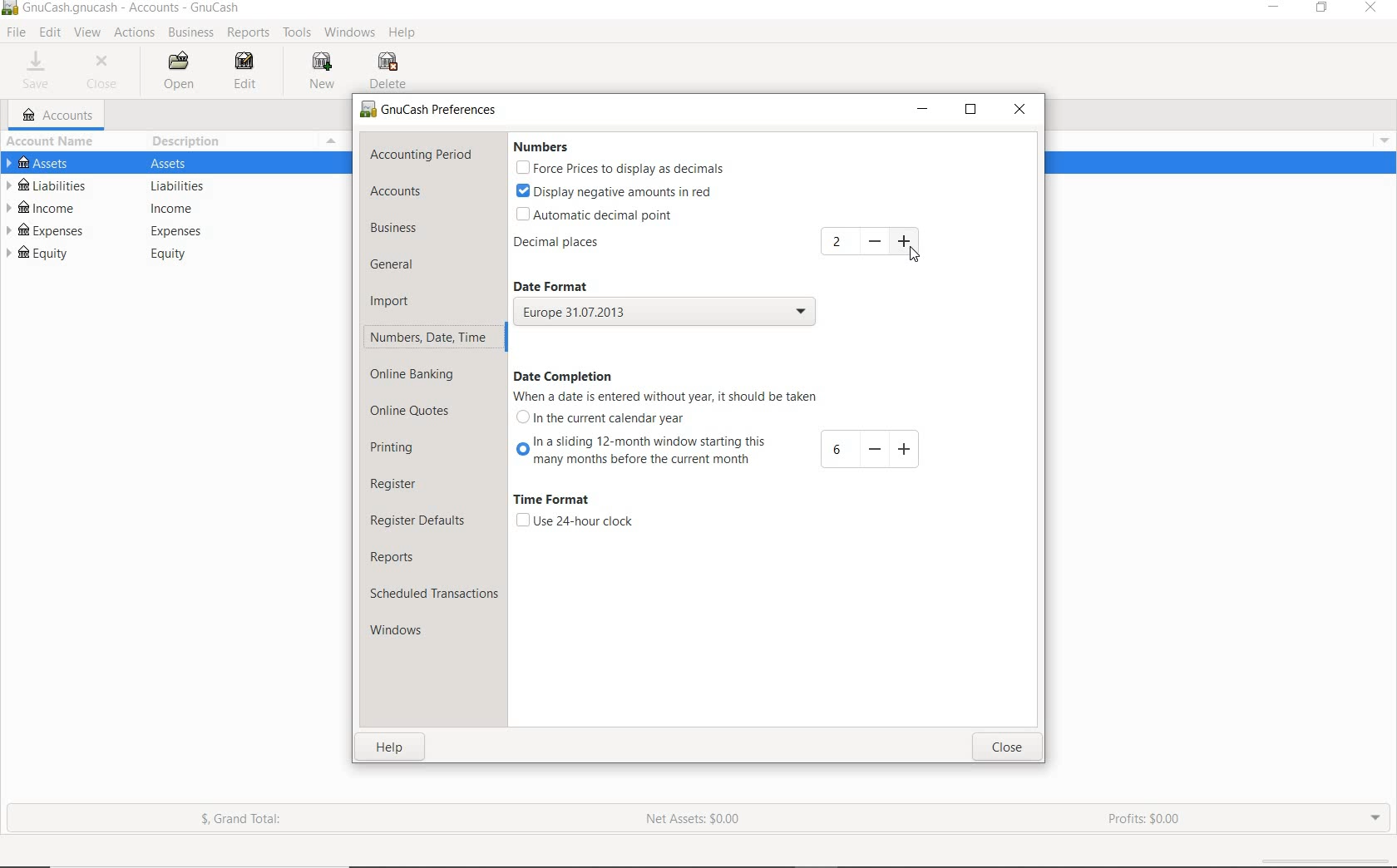  Describe the element at coordinates (405, 486) in the screenshot. I see `register` at that location.